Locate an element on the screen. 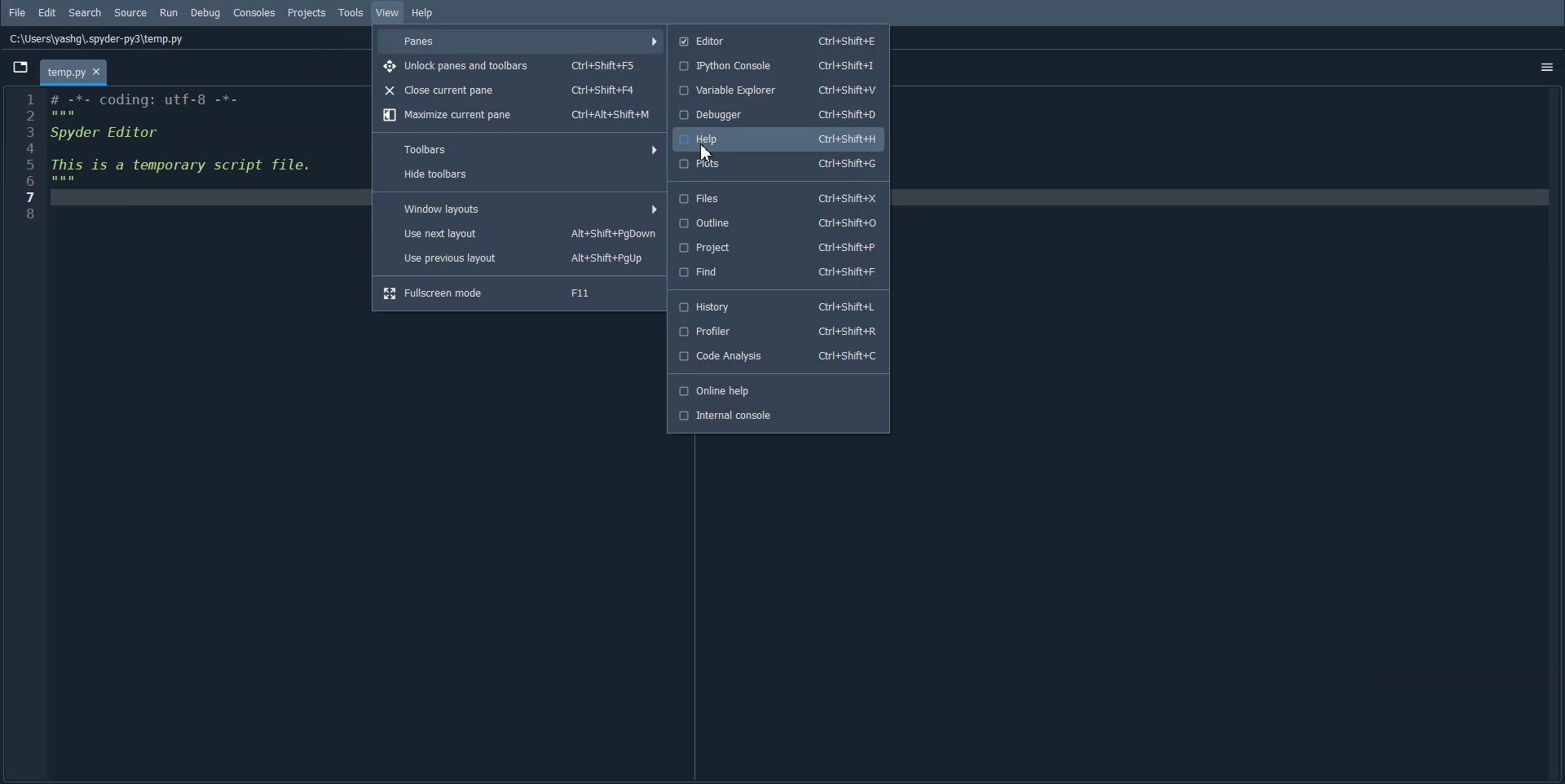 Image resolution: width=1565 pixels, height=784 pixels. Find is located at coordinates (778, 272).